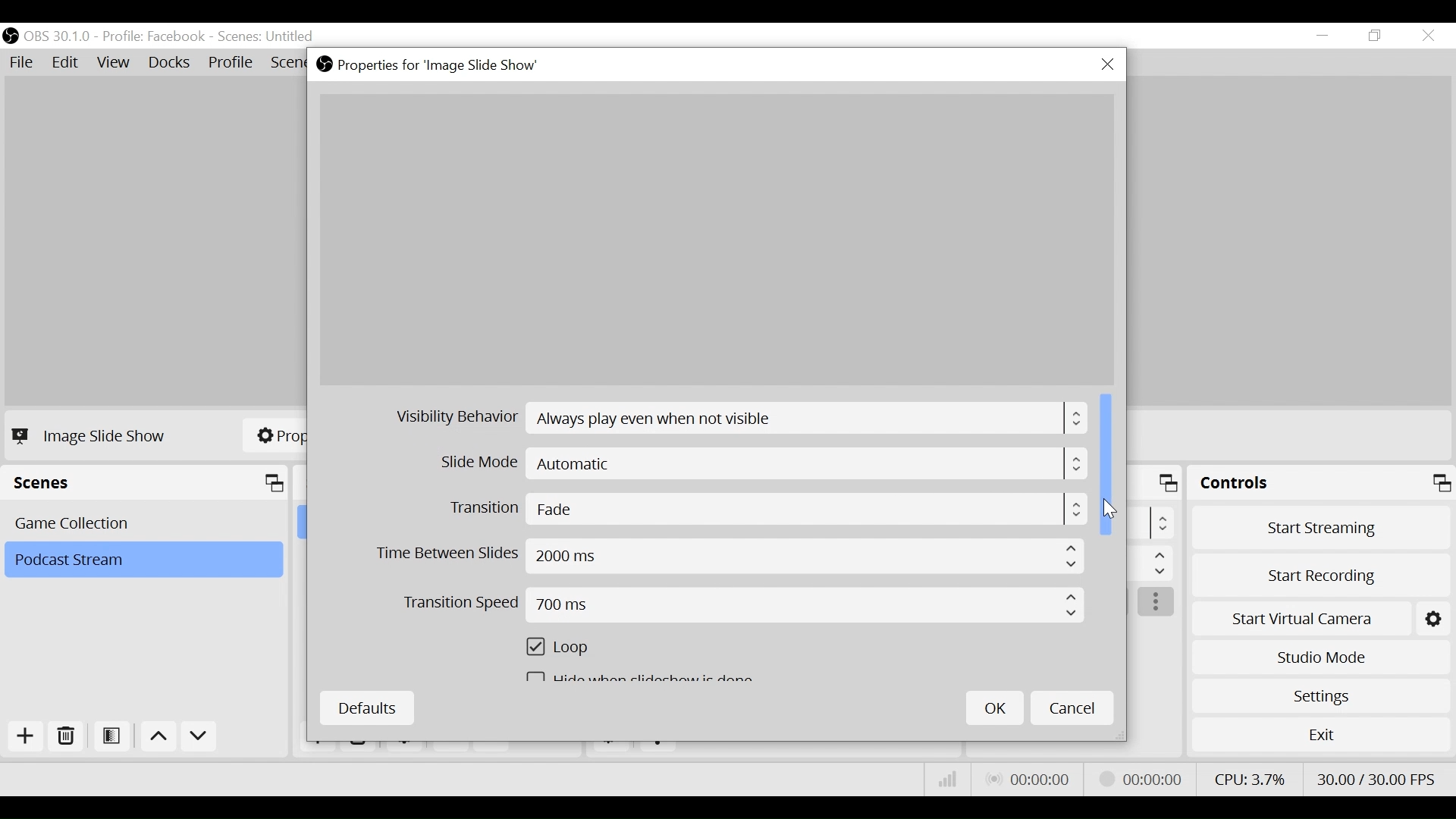 The width and height of the screenshot is (1456, 819). I want to click on OBS Desktop Icon, so click(11, 36).